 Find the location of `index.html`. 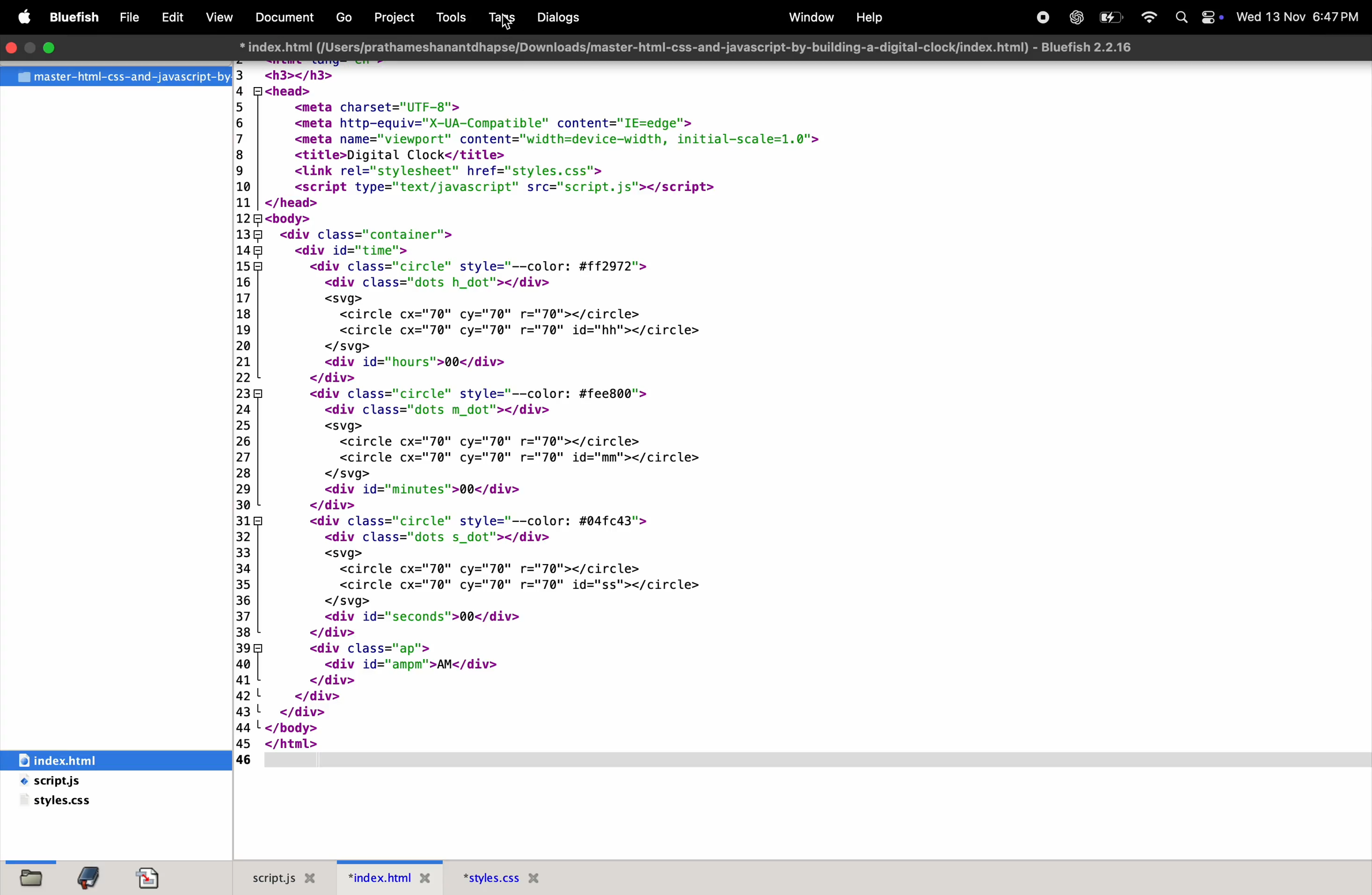

index.html is located at coordinates (377, 877).